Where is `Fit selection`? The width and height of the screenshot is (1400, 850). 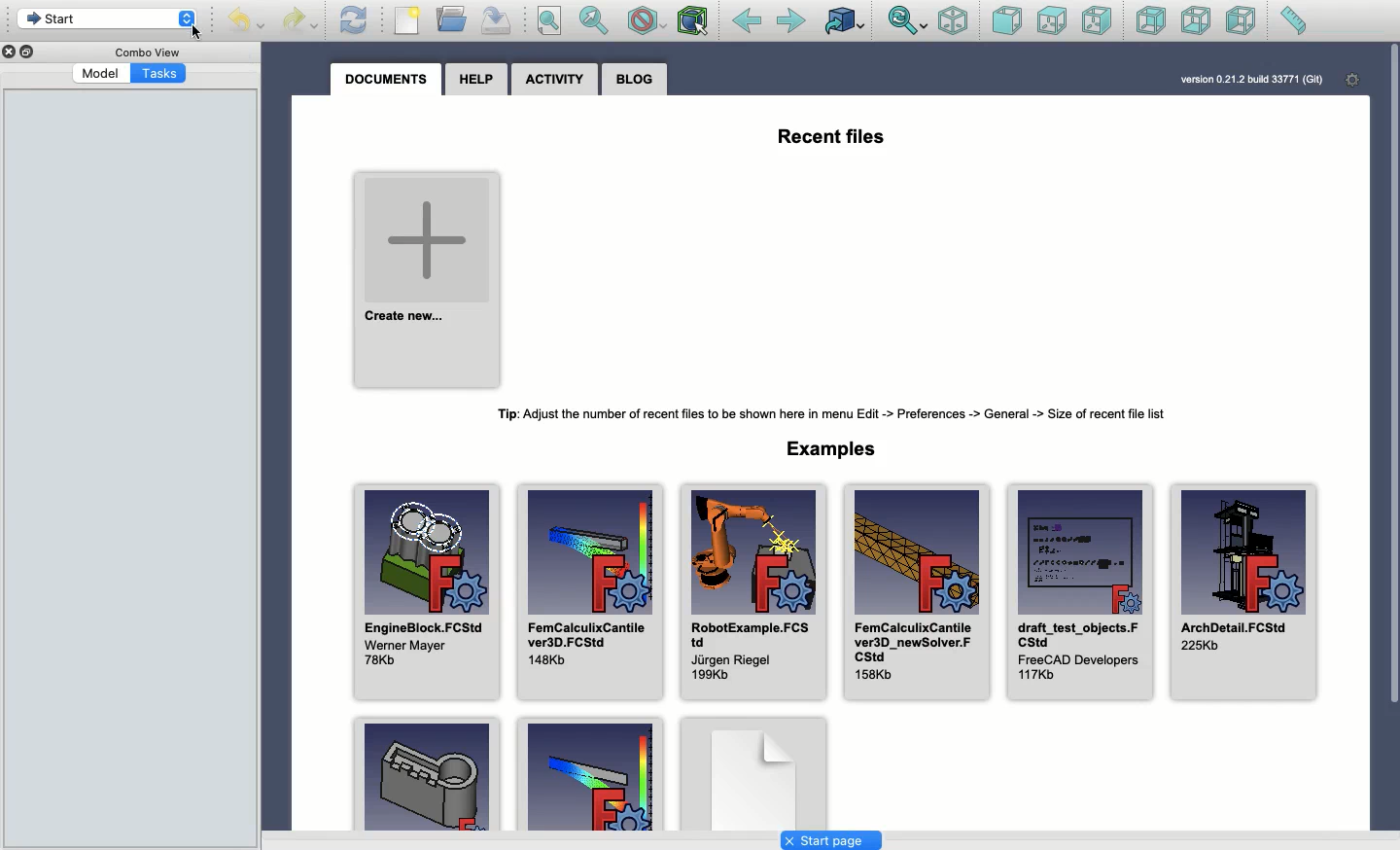
Fit selection is located at coordinates (594, 20).